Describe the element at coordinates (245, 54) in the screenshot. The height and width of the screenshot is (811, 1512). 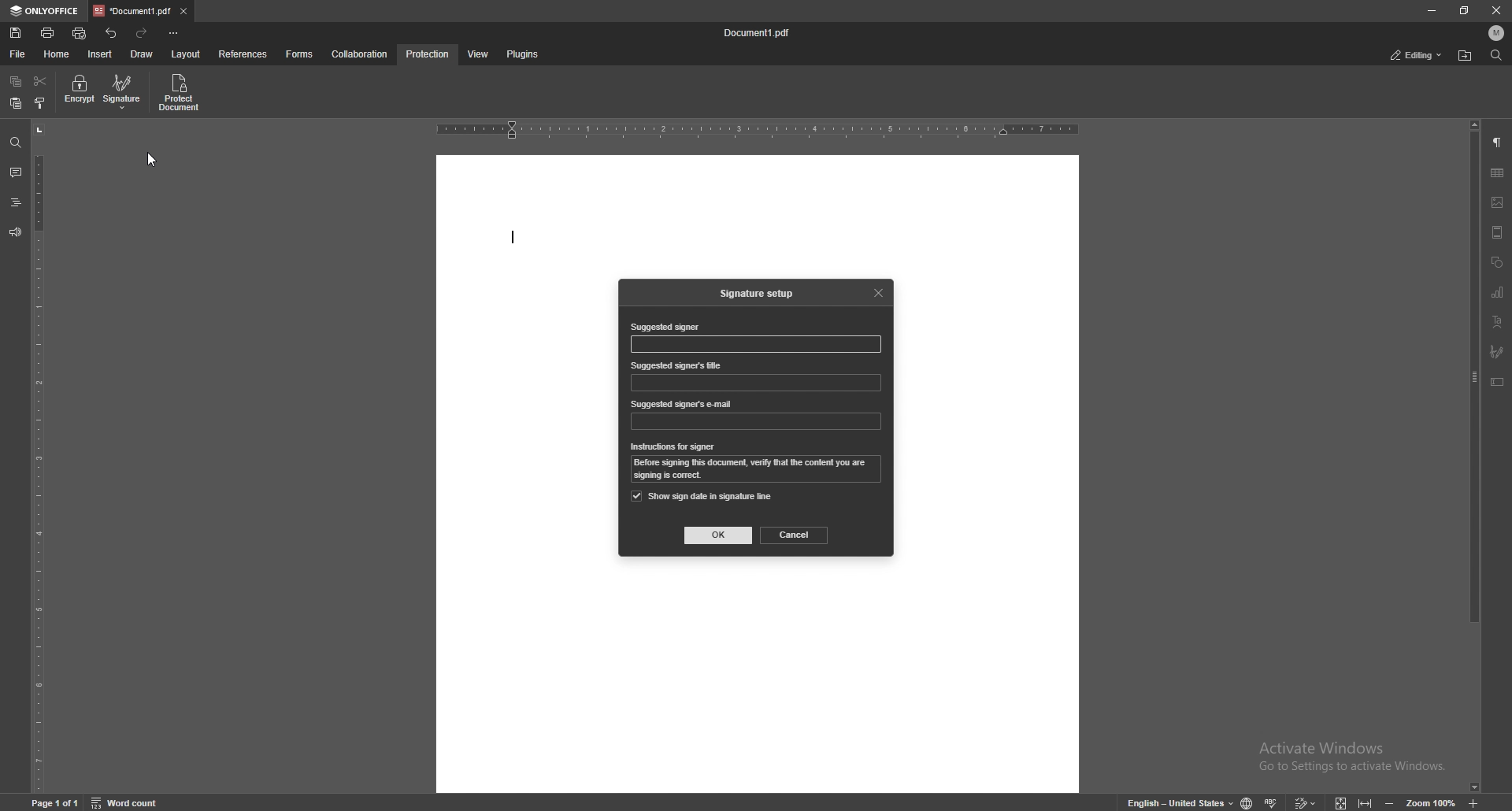
I see `references` at that location.